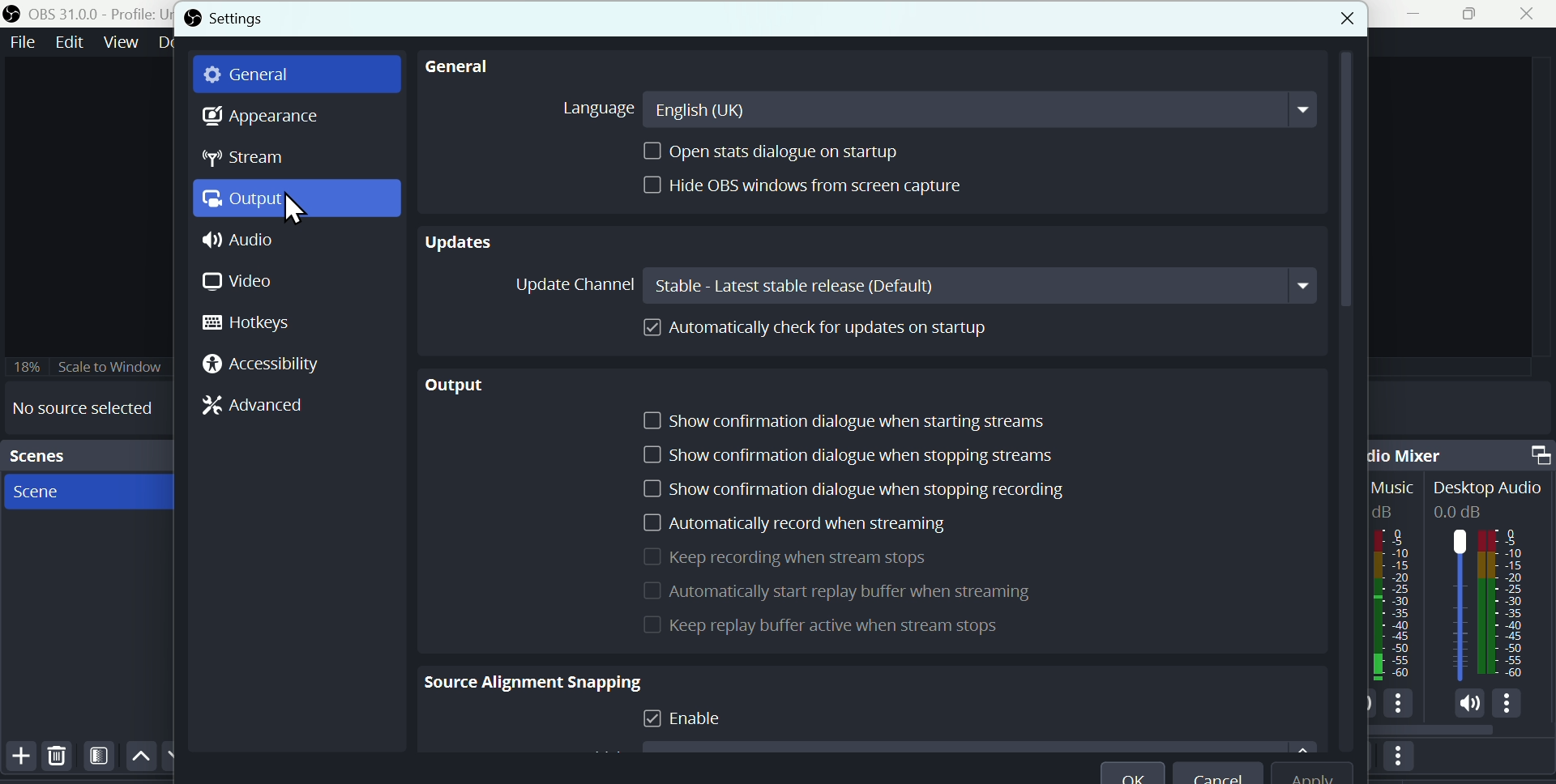  I want to click on Automatically record when is streaming, so click(798, 522).